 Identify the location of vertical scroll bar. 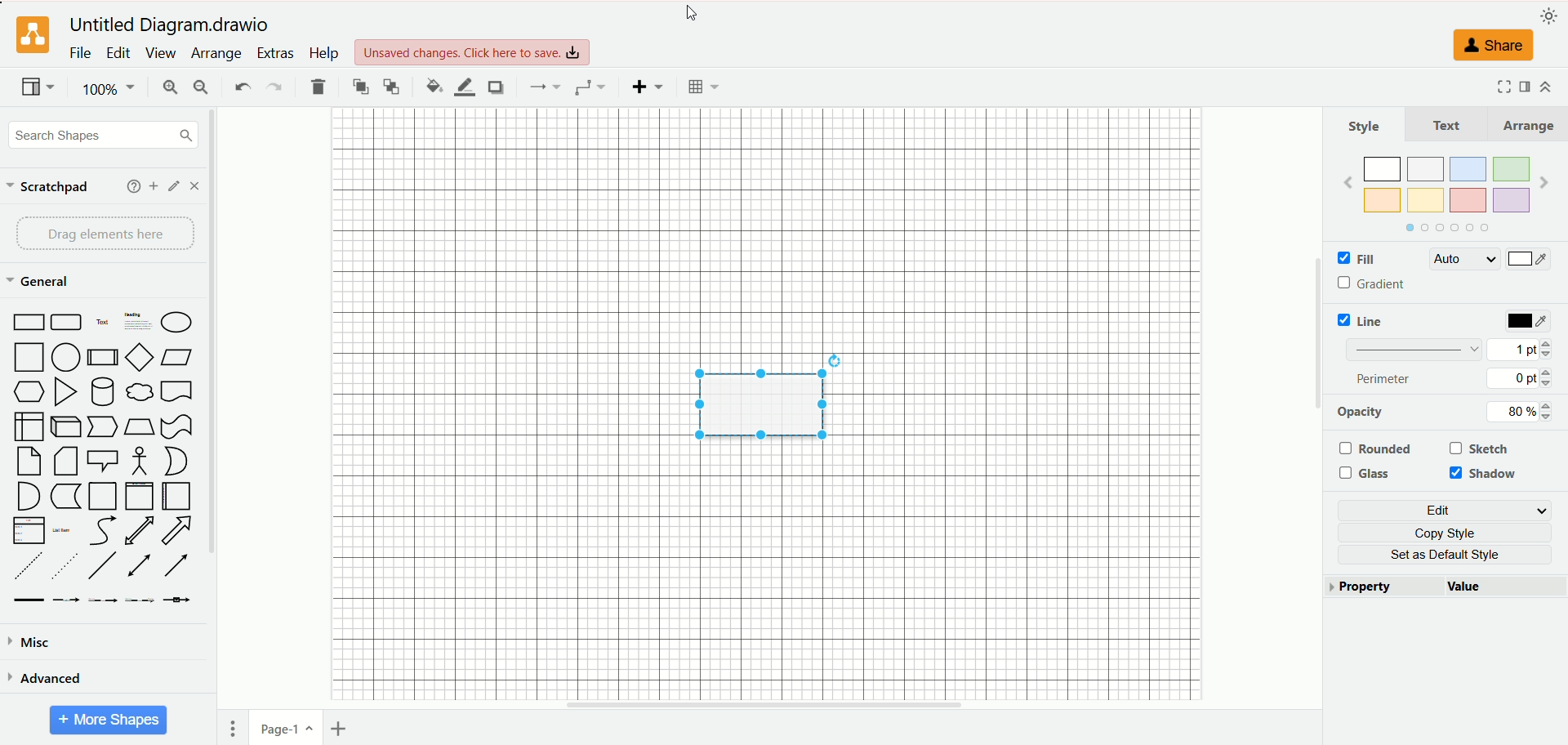
(1316, 409).